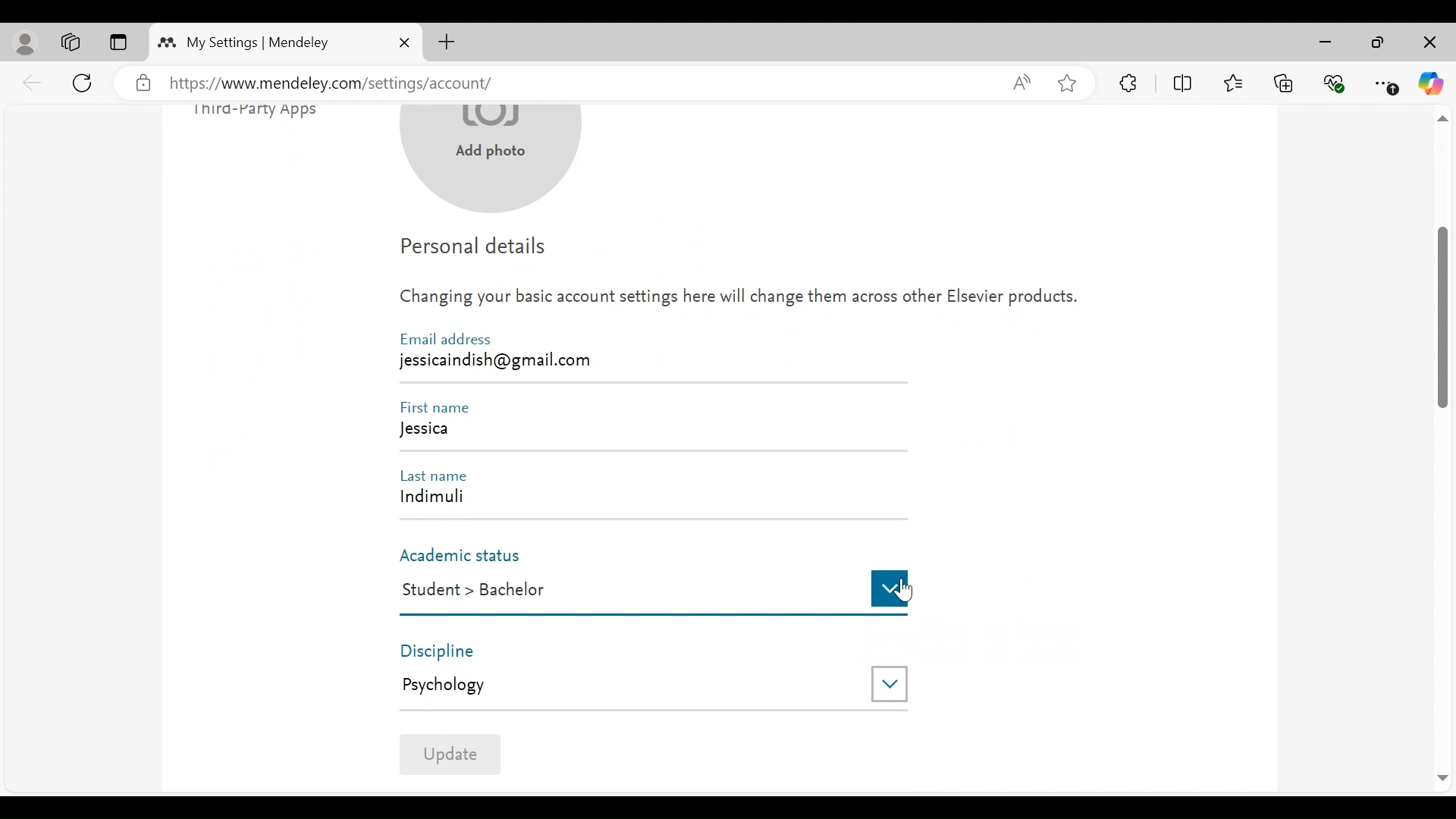 This screenshot has height=819, width=1456. What do you see at coordinates (642, 500) in the screenshot?
I see `Indimuli` at bounding box center [642, 500].